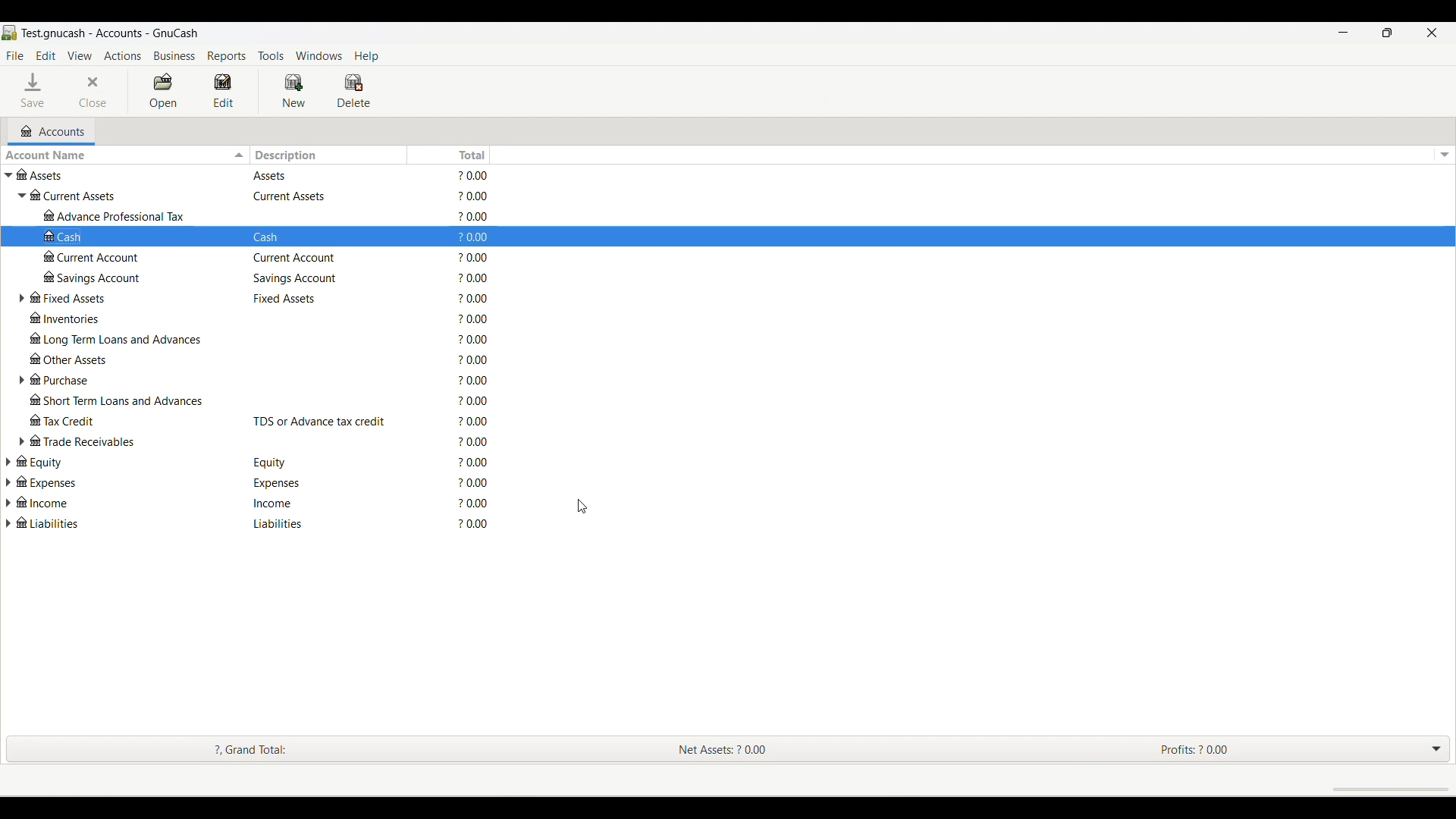  What do you see at coordinates (136, 256) in the screenshot?
I see `Current account` at bounding box center [136, 256].